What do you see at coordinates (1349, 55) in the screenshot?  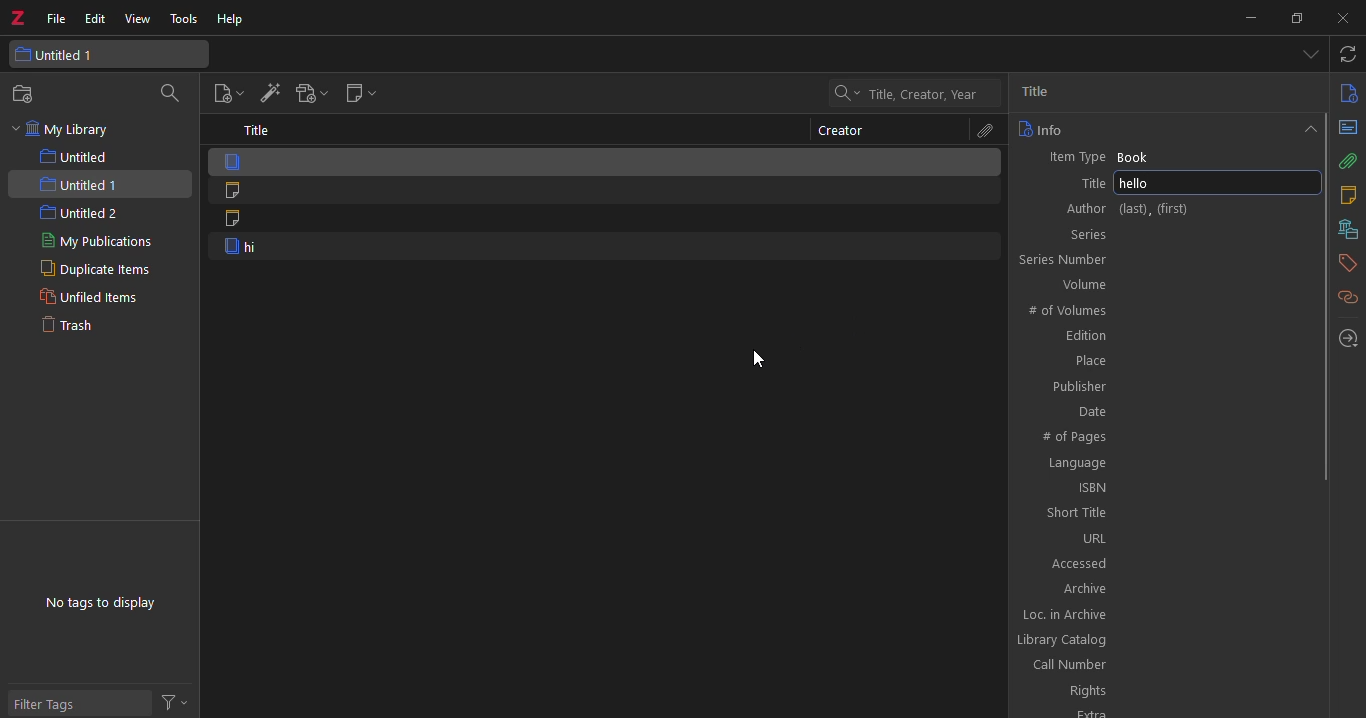 I see `sync with zotero.org` at bounding box center [1349, 55].